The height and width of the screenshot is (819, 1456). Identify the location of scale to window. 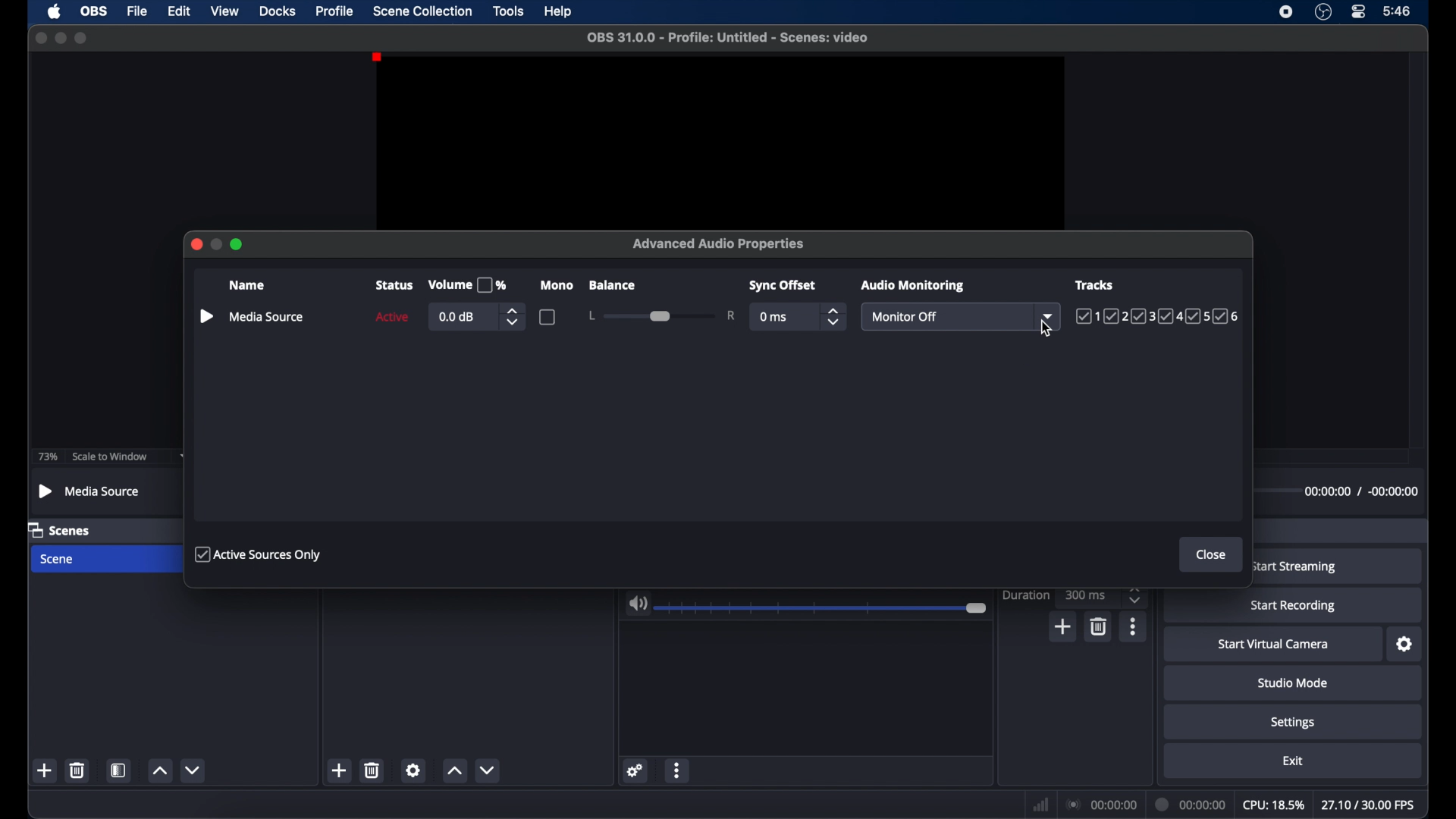
(108, 457).